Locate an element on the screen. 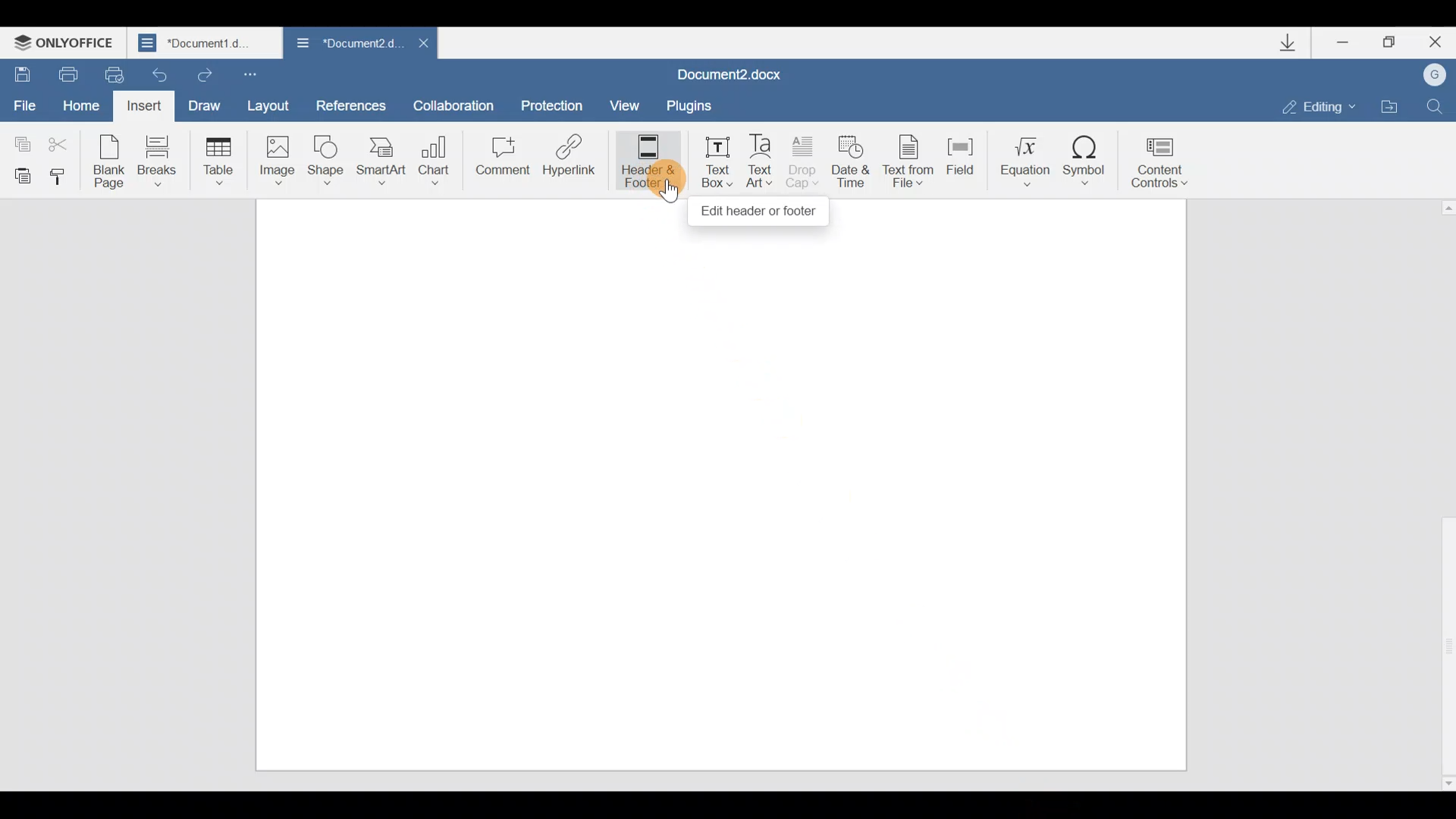 This screenshot has width=1456, height=819. View is located at coordinates (627, 102).